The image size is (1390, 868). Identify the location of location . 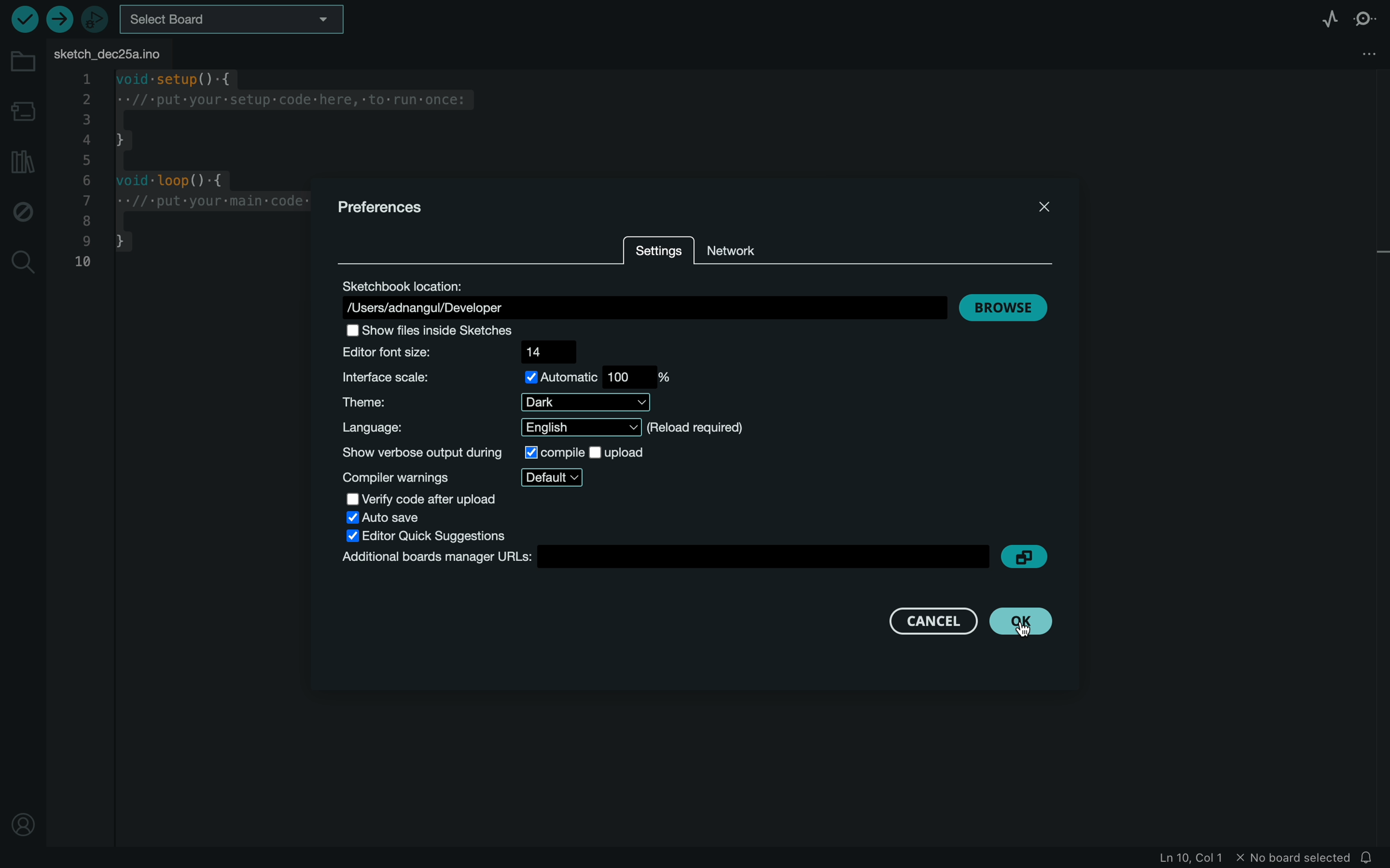
(645, 296).